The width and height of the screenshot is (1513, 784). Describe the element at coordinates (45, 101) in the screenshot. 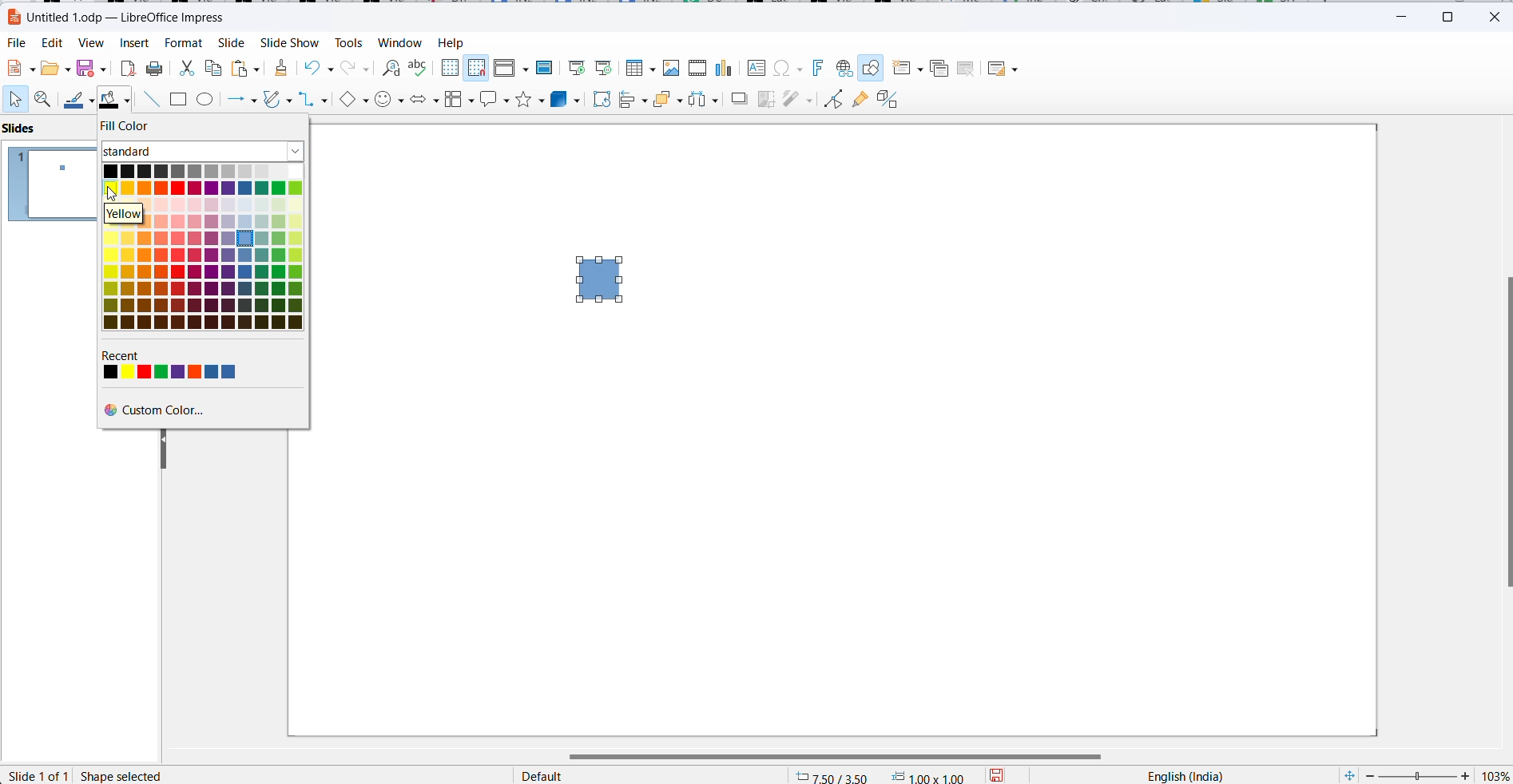

I see `zoom and pan` at that location.